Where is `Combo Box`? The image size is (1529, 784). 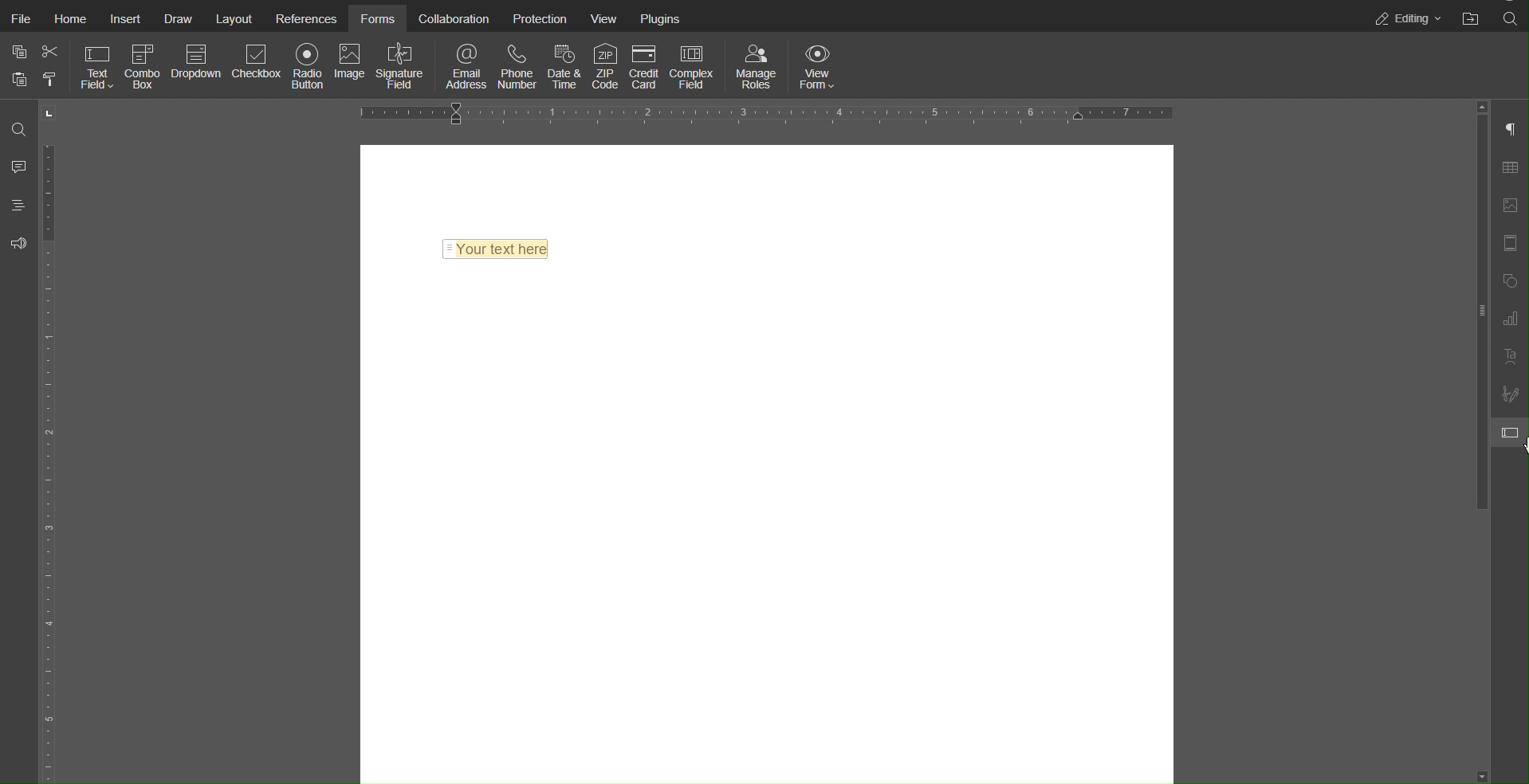
Combo Box is located at coordinates (145, 66).